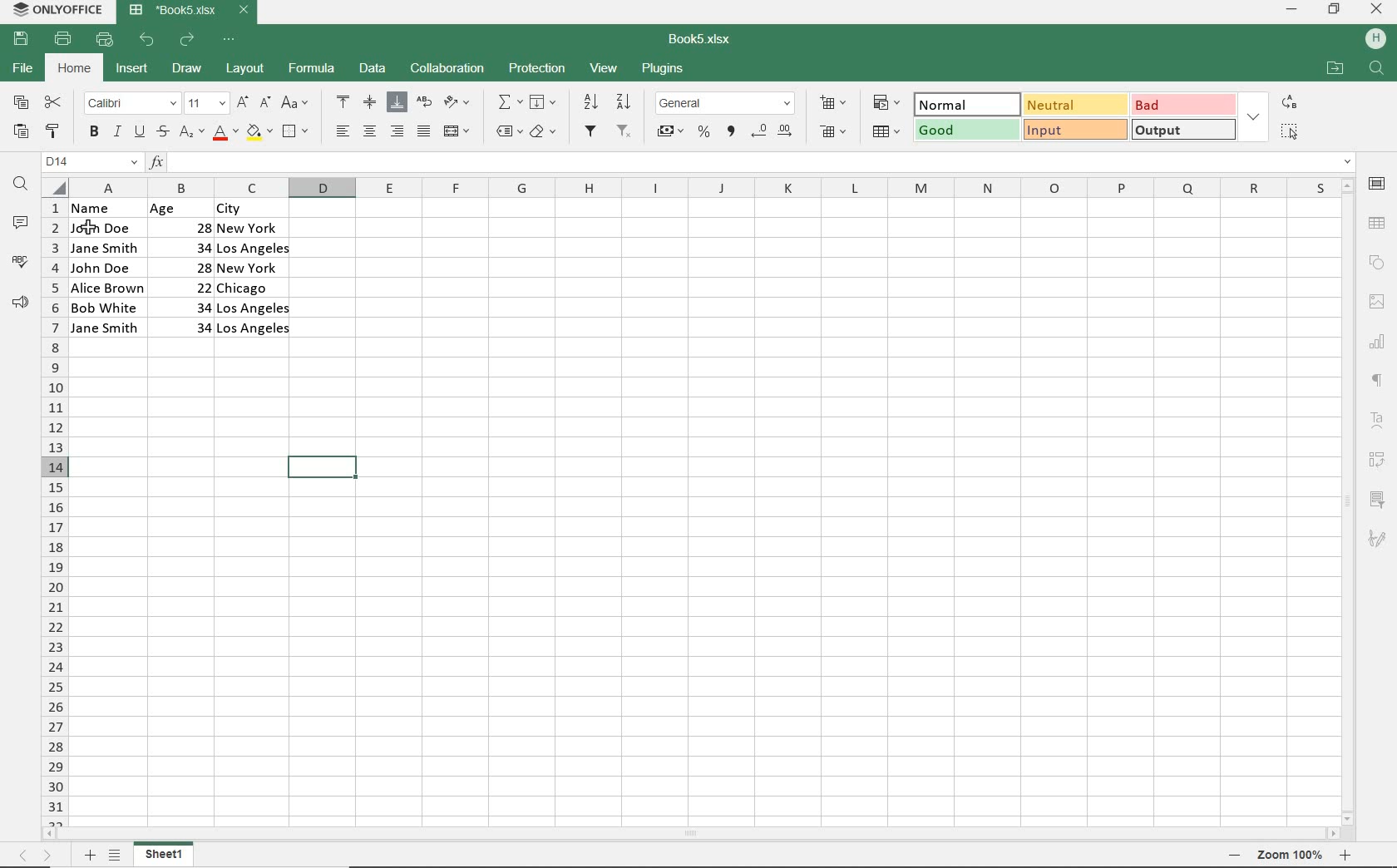 This screenshot has height=868, width=1397. I want to click on VIEW, so click(605, 67).